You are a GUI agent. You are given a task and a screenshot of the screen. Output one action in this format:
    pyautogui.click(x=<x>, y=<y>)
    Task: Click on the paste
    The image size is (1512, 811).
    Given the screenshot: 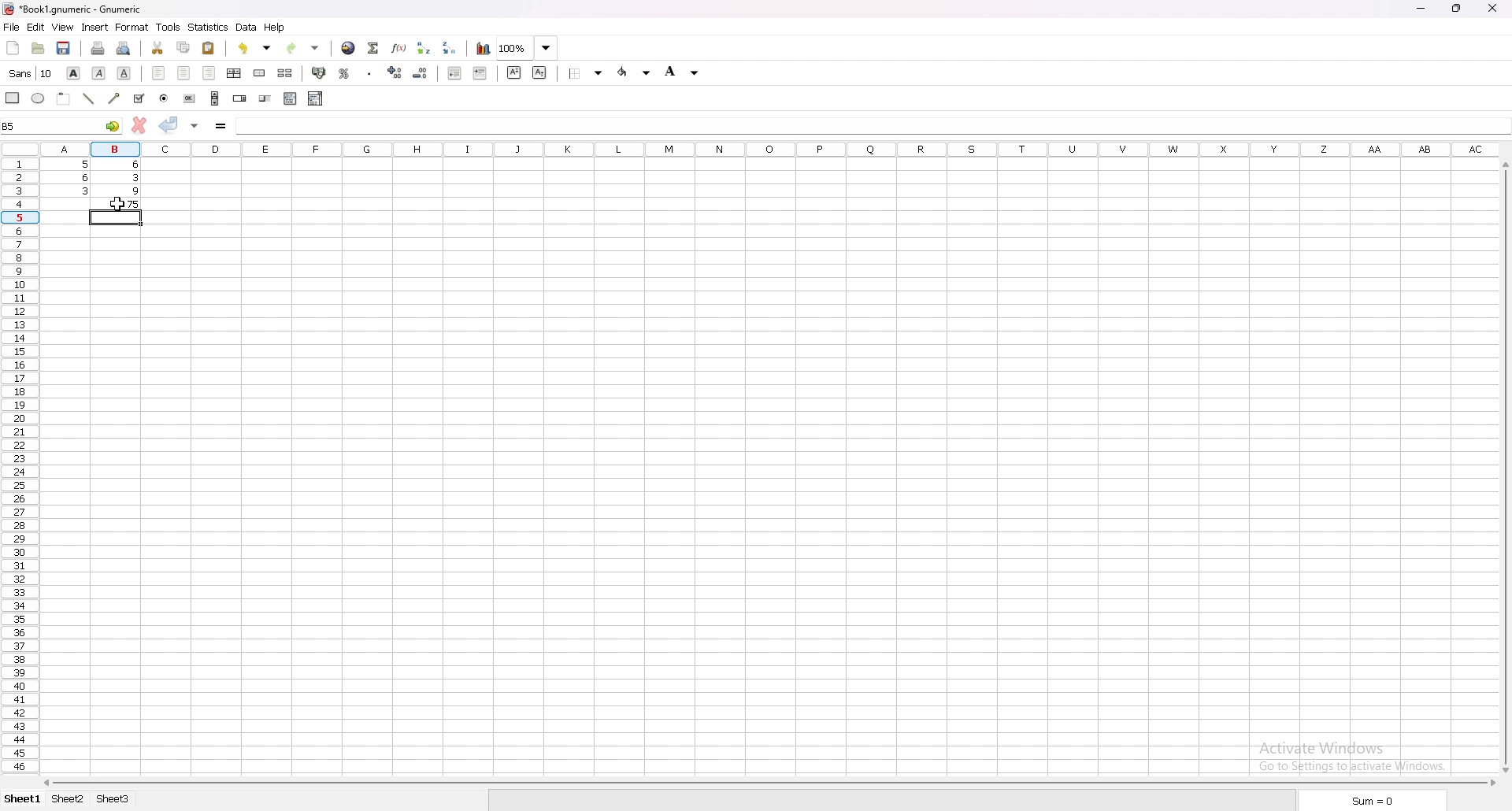 What is the action you would take?
    pyautogui.click(x=209, y=47)
    